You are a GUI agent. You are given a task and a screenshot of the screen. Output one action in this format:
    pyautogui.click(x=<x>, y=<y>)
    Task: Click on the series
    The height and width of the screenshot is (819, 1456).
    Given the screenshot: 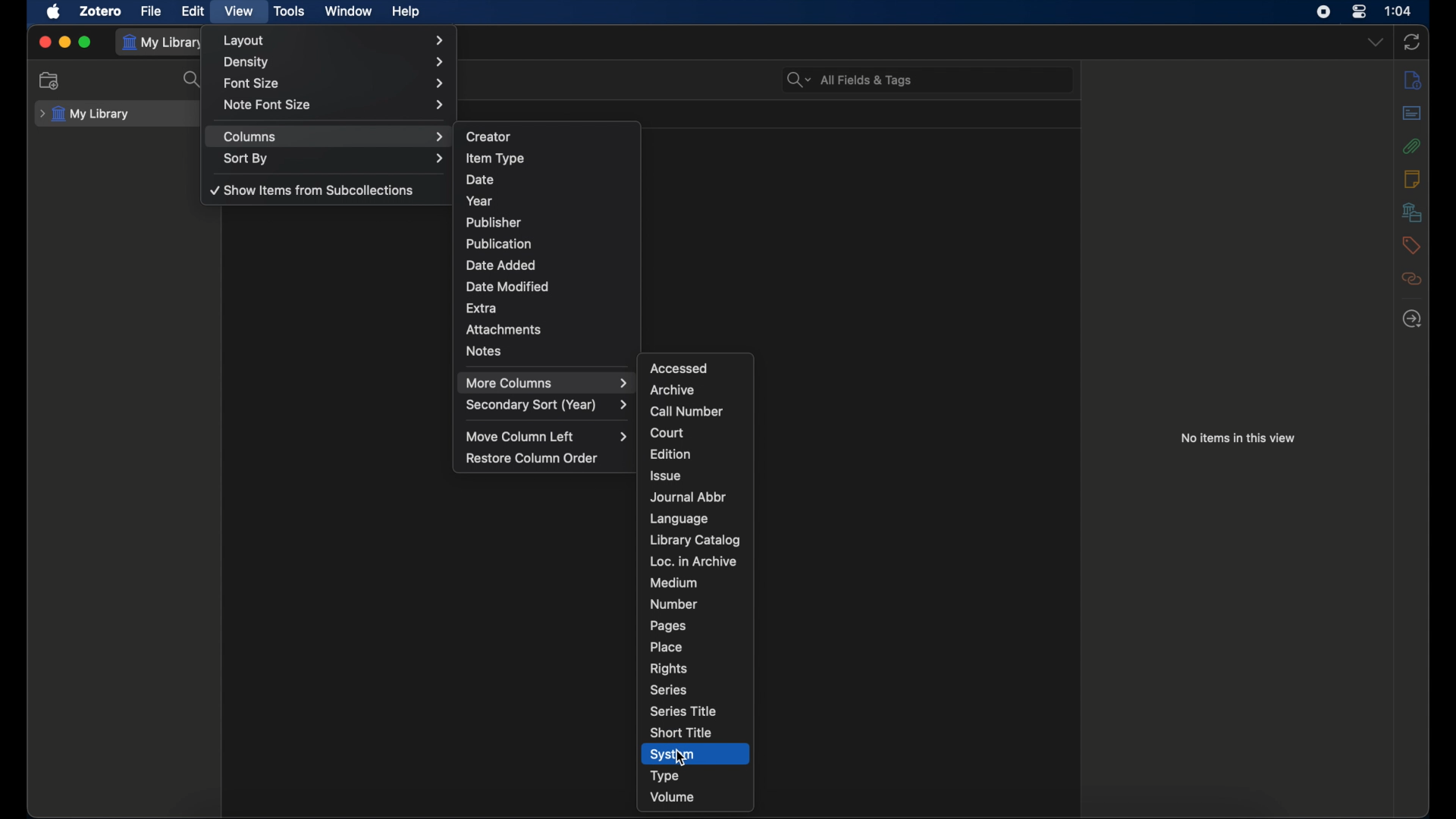 What is the action you would take?
    pyautogui.click(x=668, y=690)
    